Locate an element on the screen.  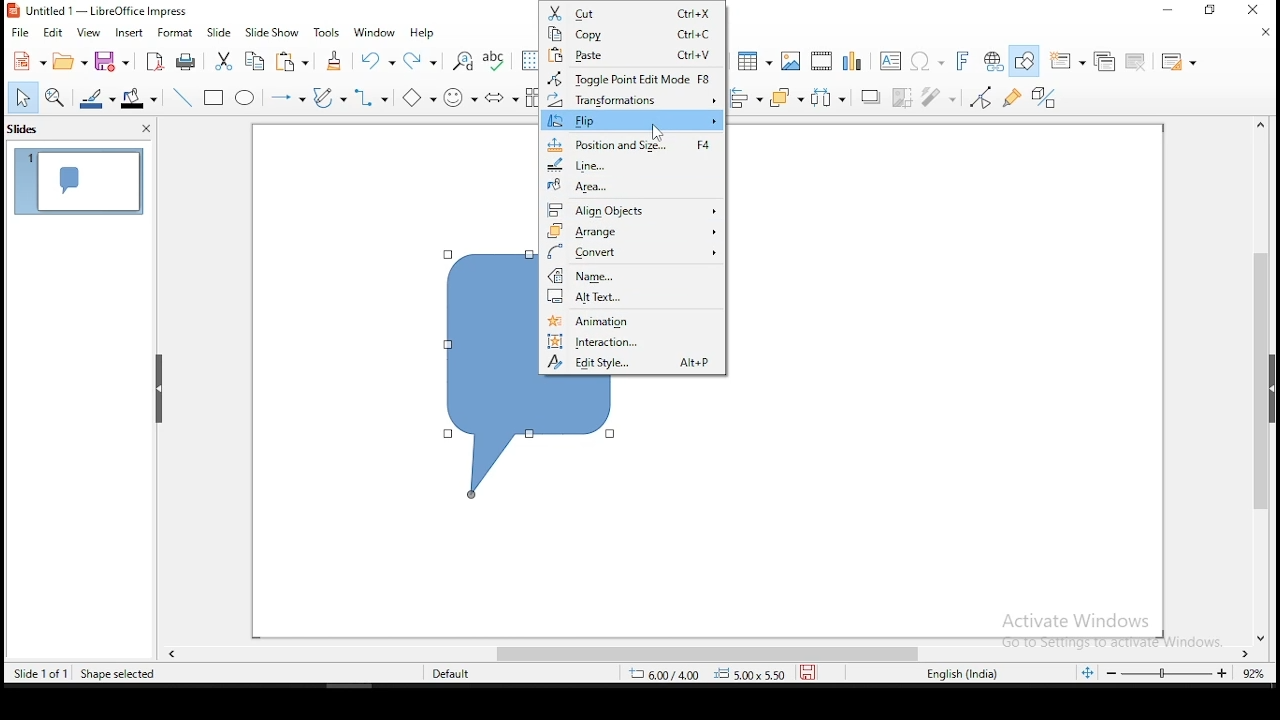
insert special characters is located at coordinates (927, 60).